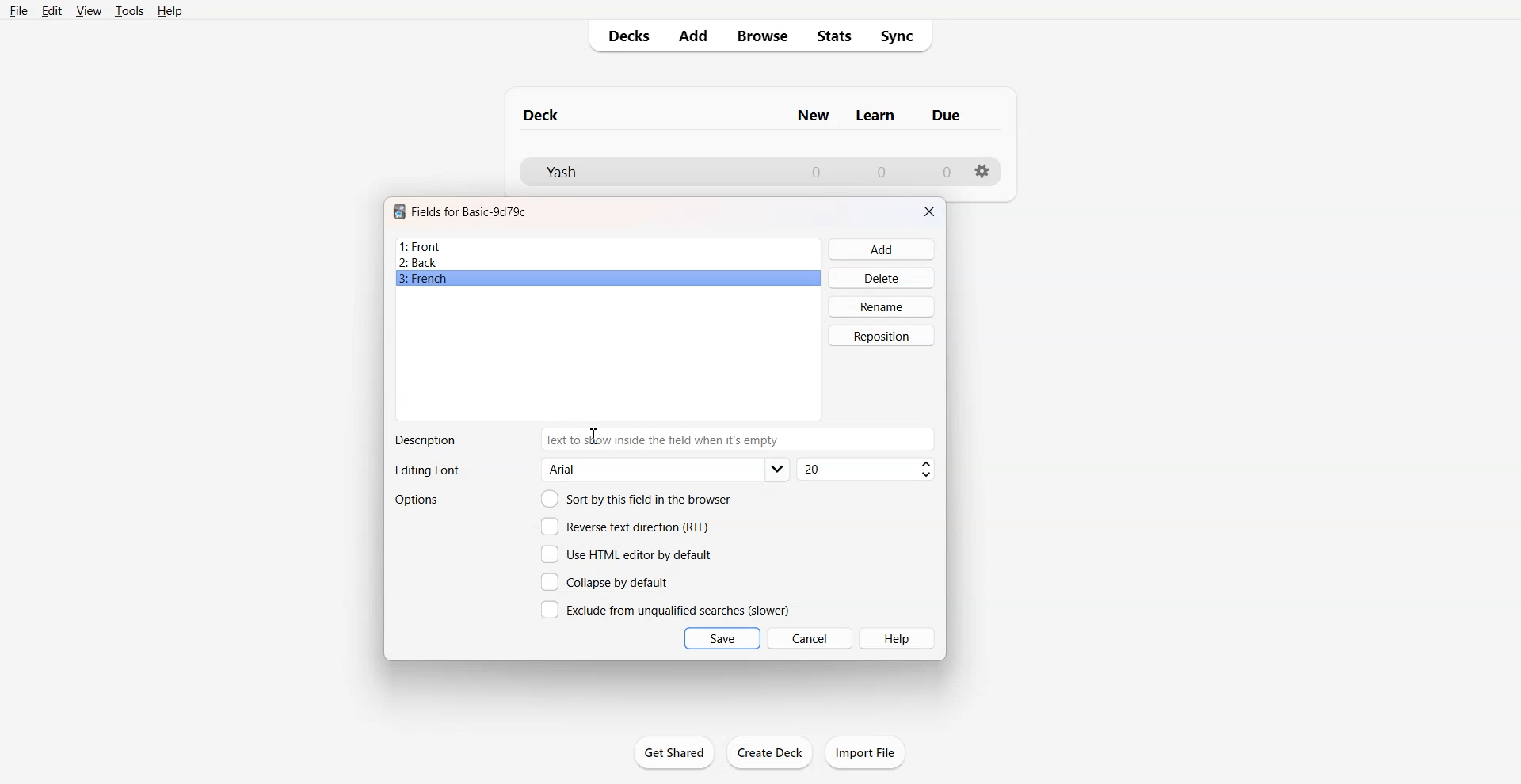 This screenshot has width=1521, height=784. What do you see at coordinates (418, 500) in the screenshot?
I see `Options` at bounding box center [418, 500].